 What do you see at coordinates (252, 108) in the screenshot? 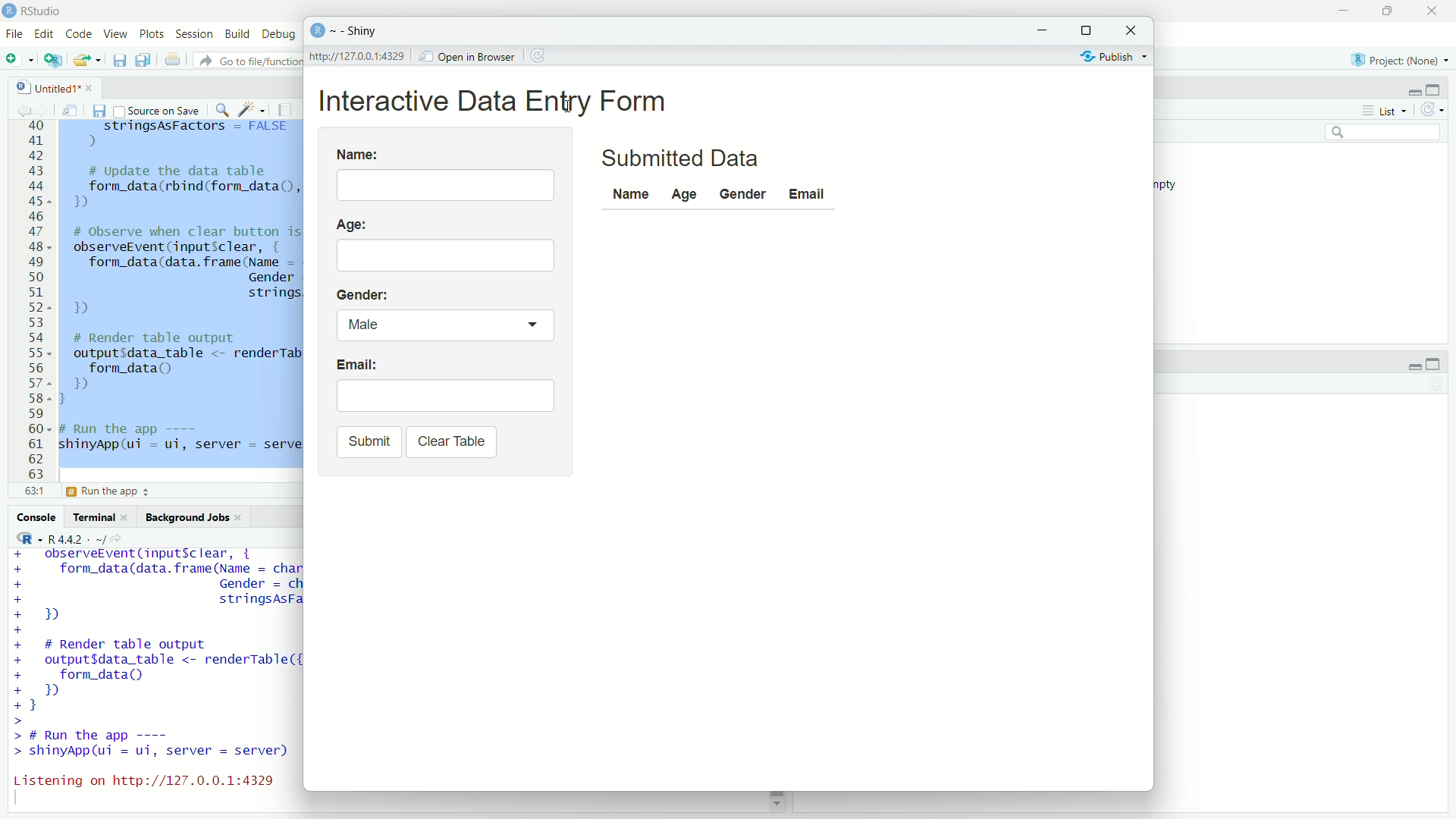
I see `code tools` at bounding box center [252, 108].